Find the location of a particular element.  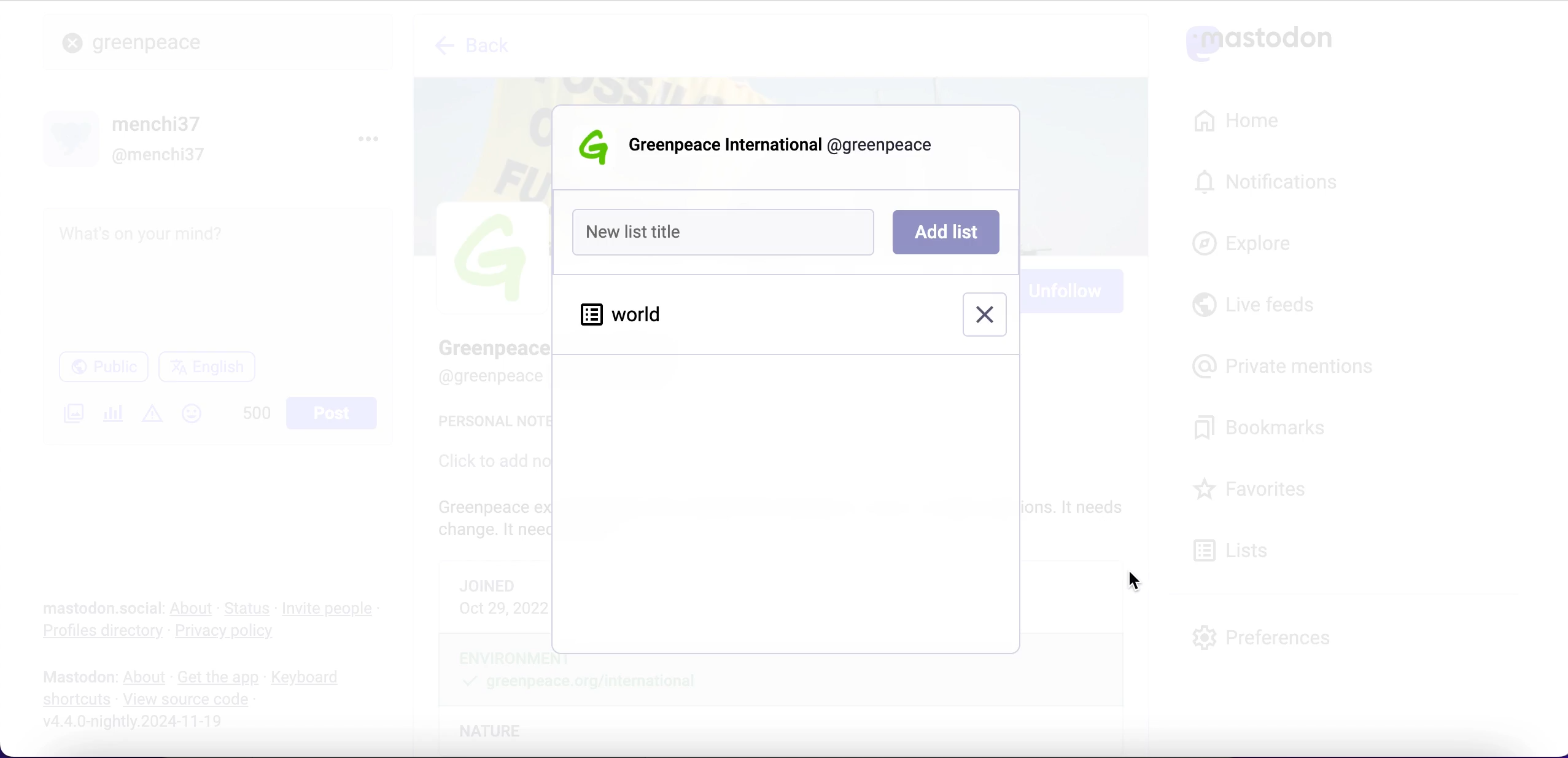

get the app is located at coordinates (217, 677).